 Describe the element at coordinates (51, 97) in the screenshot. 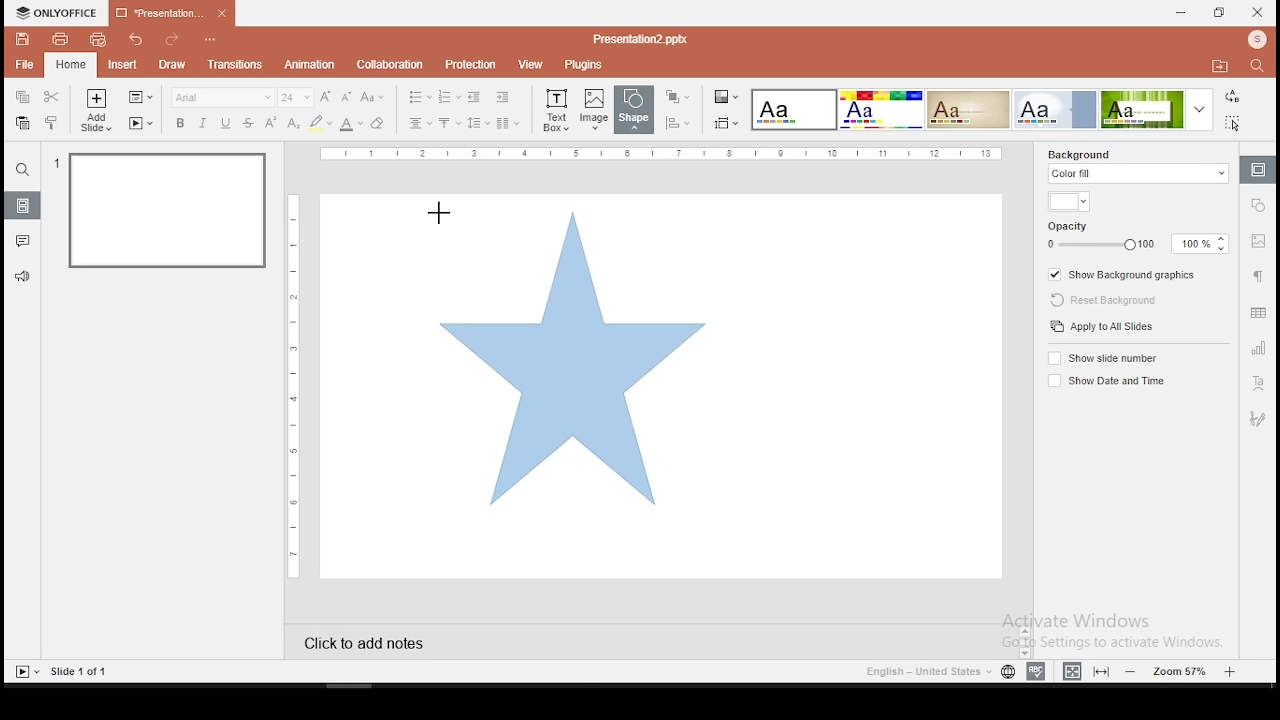

I see `cut` at that location.